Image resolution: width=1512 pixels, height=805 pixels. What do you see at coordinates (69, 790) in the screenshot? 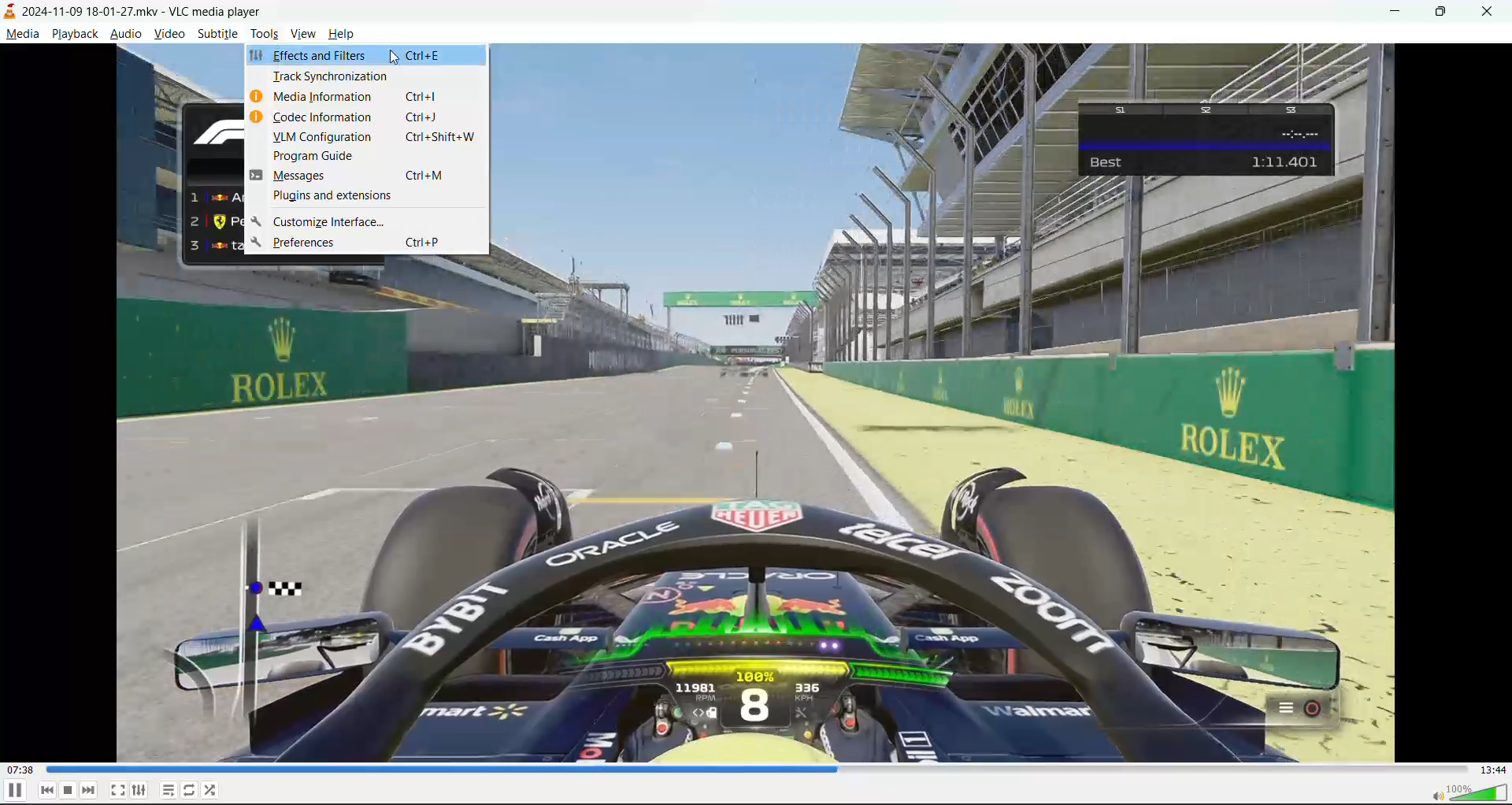
I see `stop` at bounding box center [69, 790].